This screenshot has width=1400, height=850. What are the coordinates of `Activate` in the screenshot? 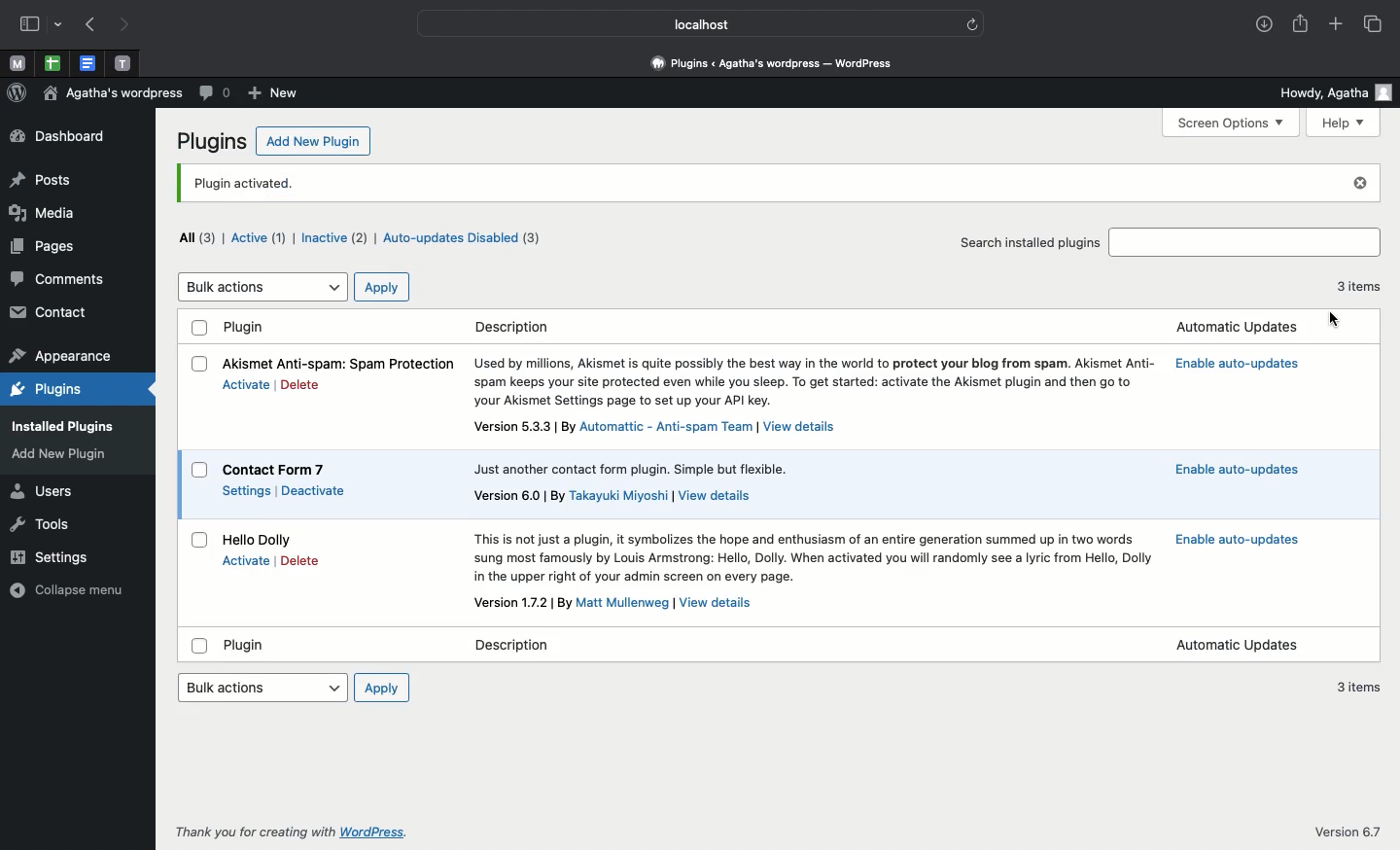 It's located at (246, 385).